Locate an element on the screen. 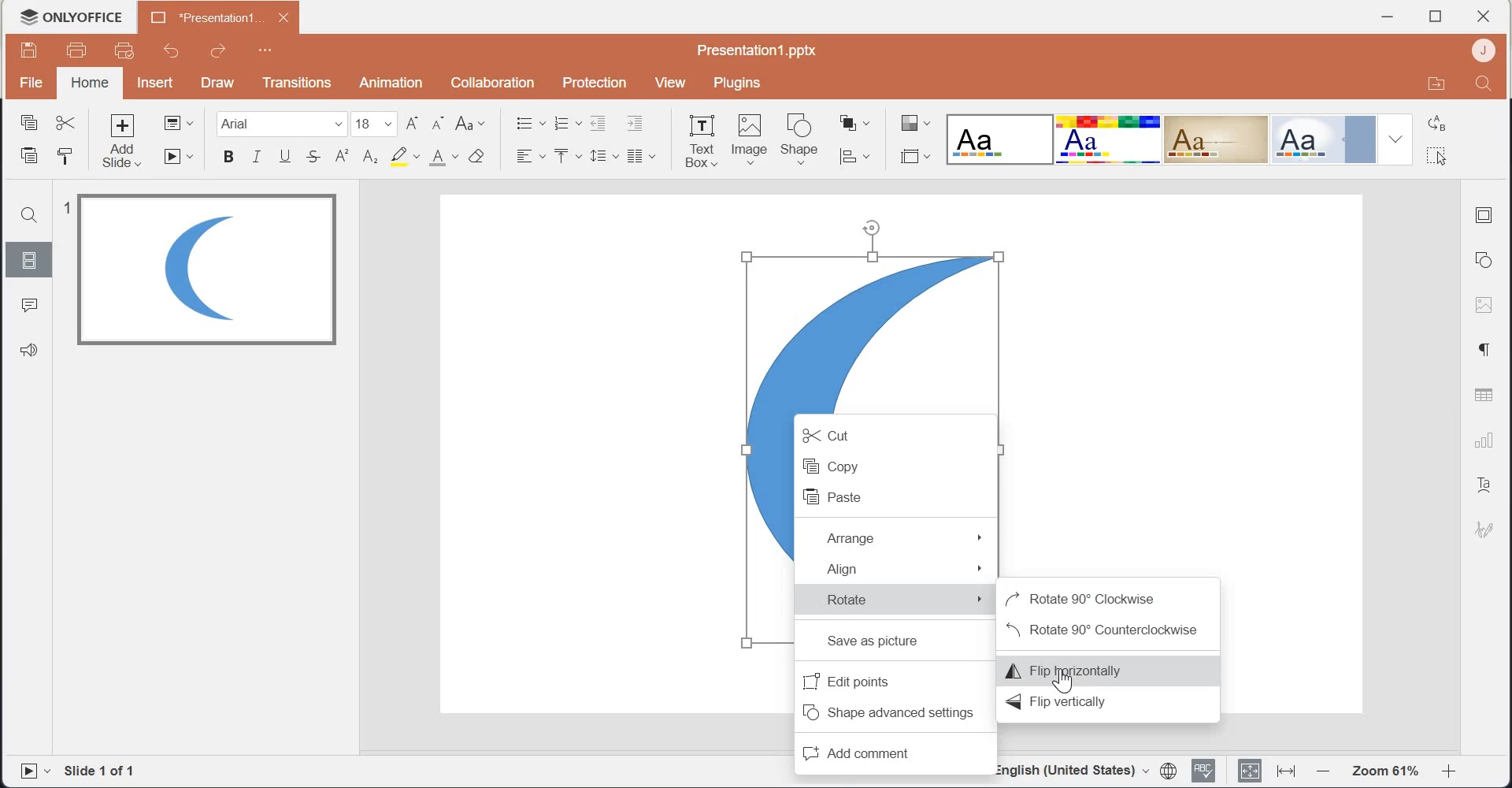 The height and width of the screenshot is (788, 1512). Account is located at coordinates (1481, 50).